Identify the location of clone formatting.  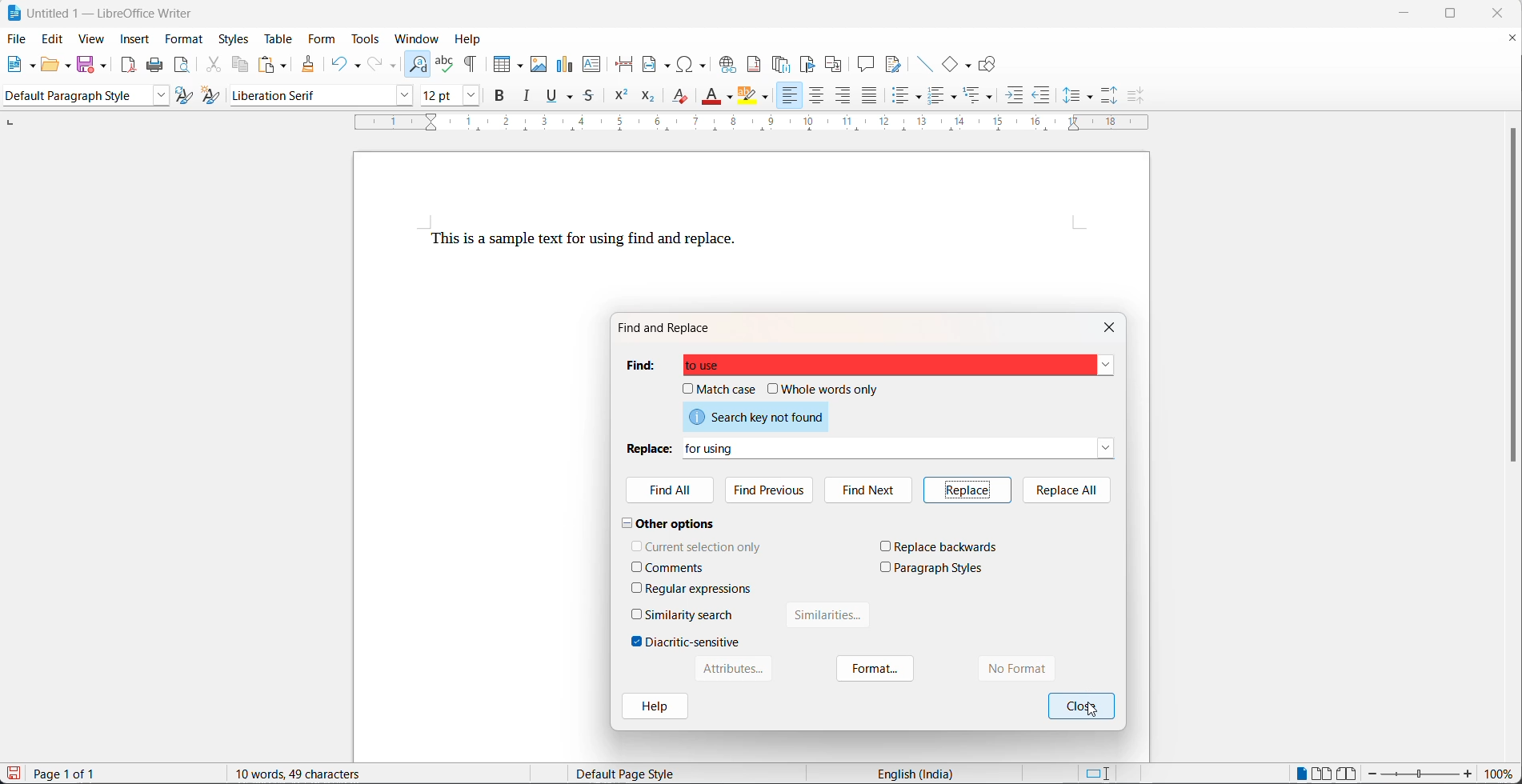
(310, 65).